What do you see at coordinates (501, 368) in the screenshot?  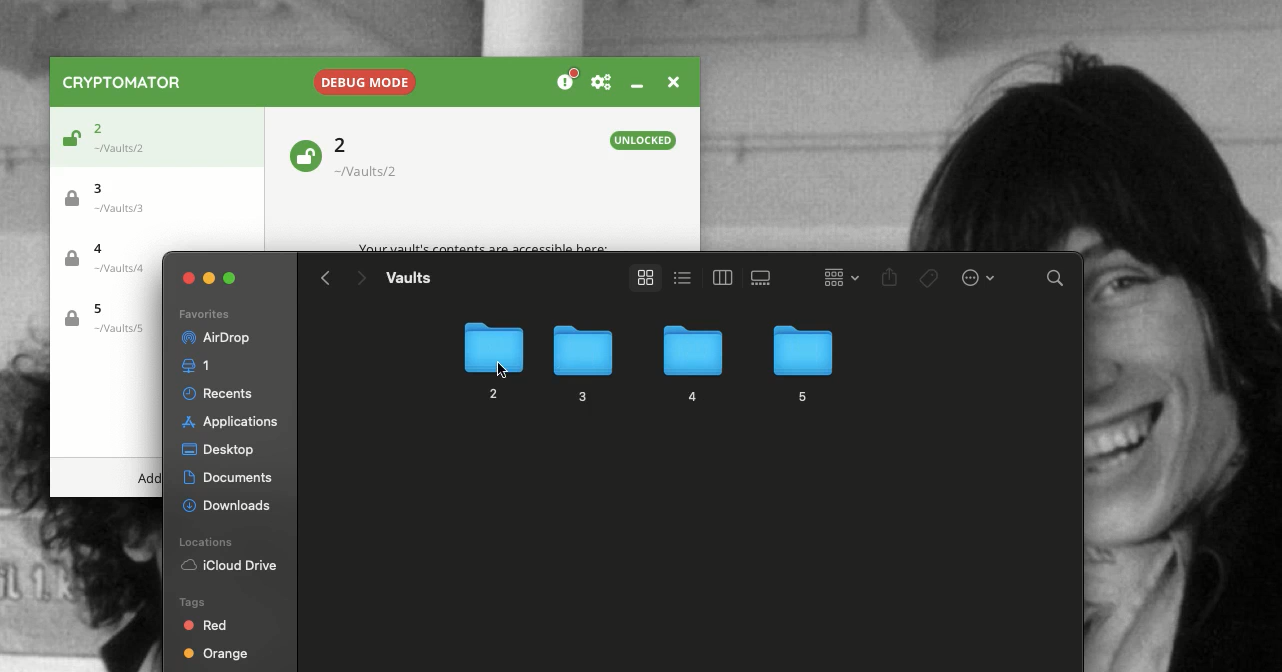 I see `cursor` at bounding box center [501, 368].